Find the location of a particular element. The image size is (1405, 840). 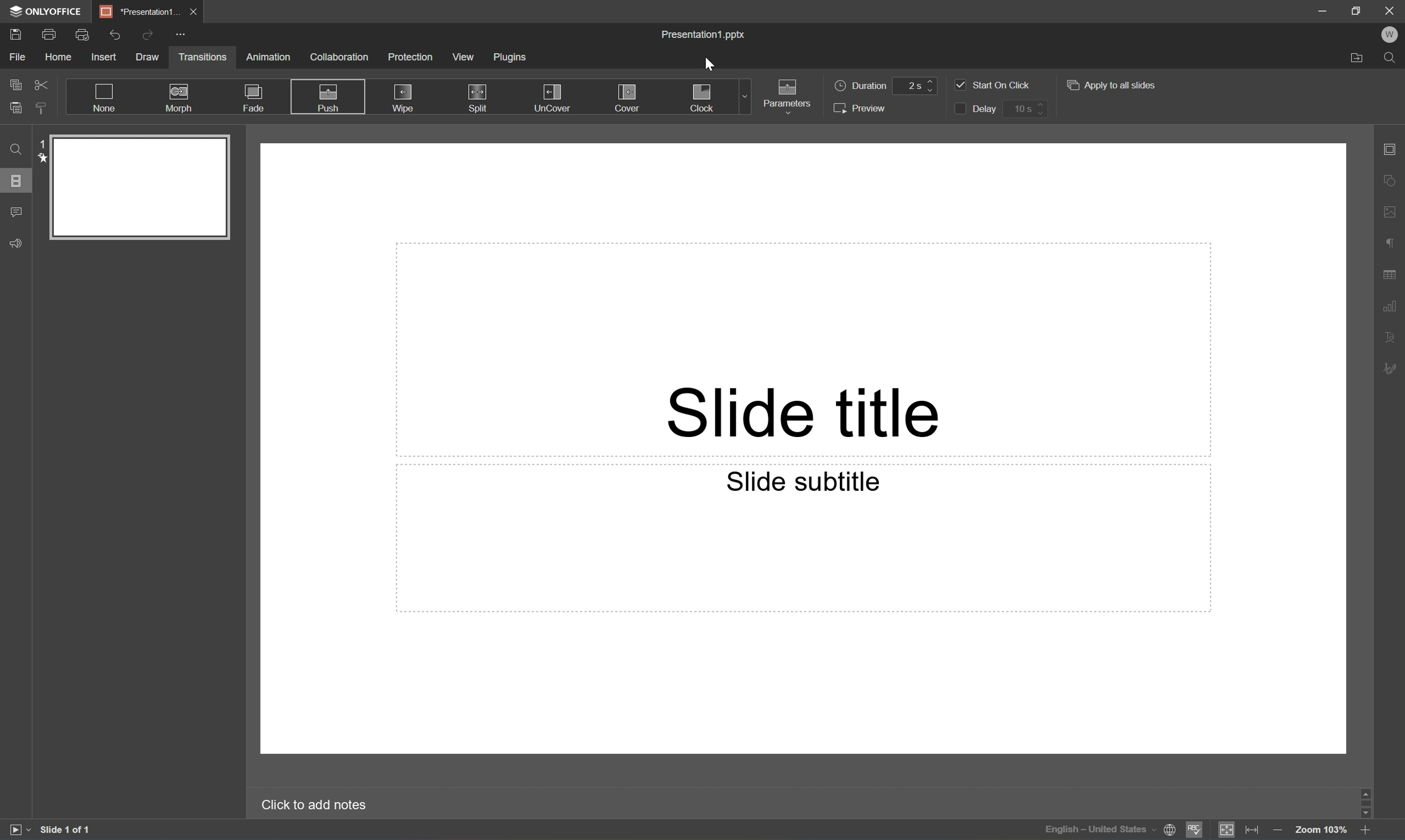

Duration is located at coordinates (860, 84).